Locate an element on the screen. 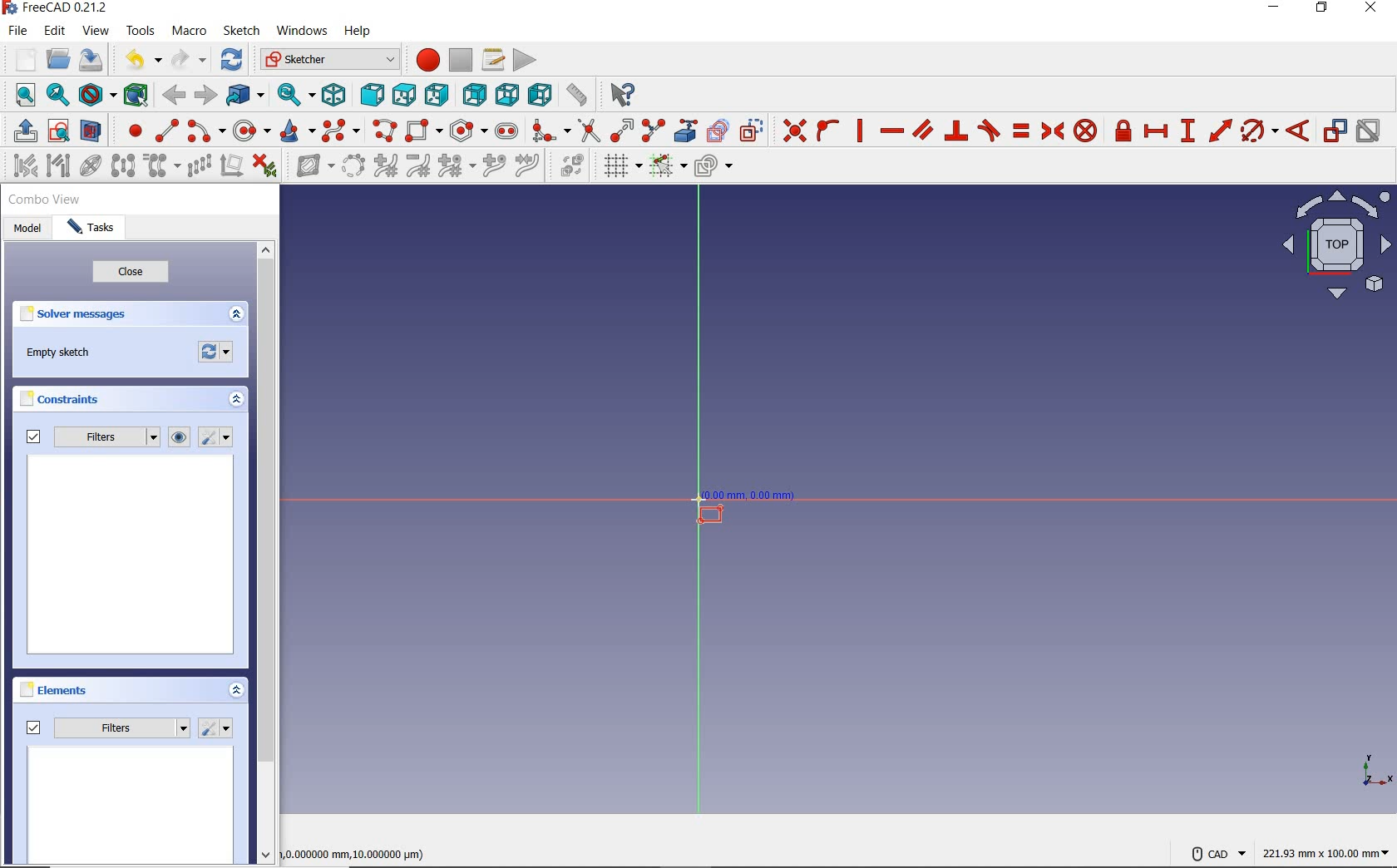 Image resolution: width=1397 pixels, height=868 pixels. tasks is located at coordinates (93, 230).